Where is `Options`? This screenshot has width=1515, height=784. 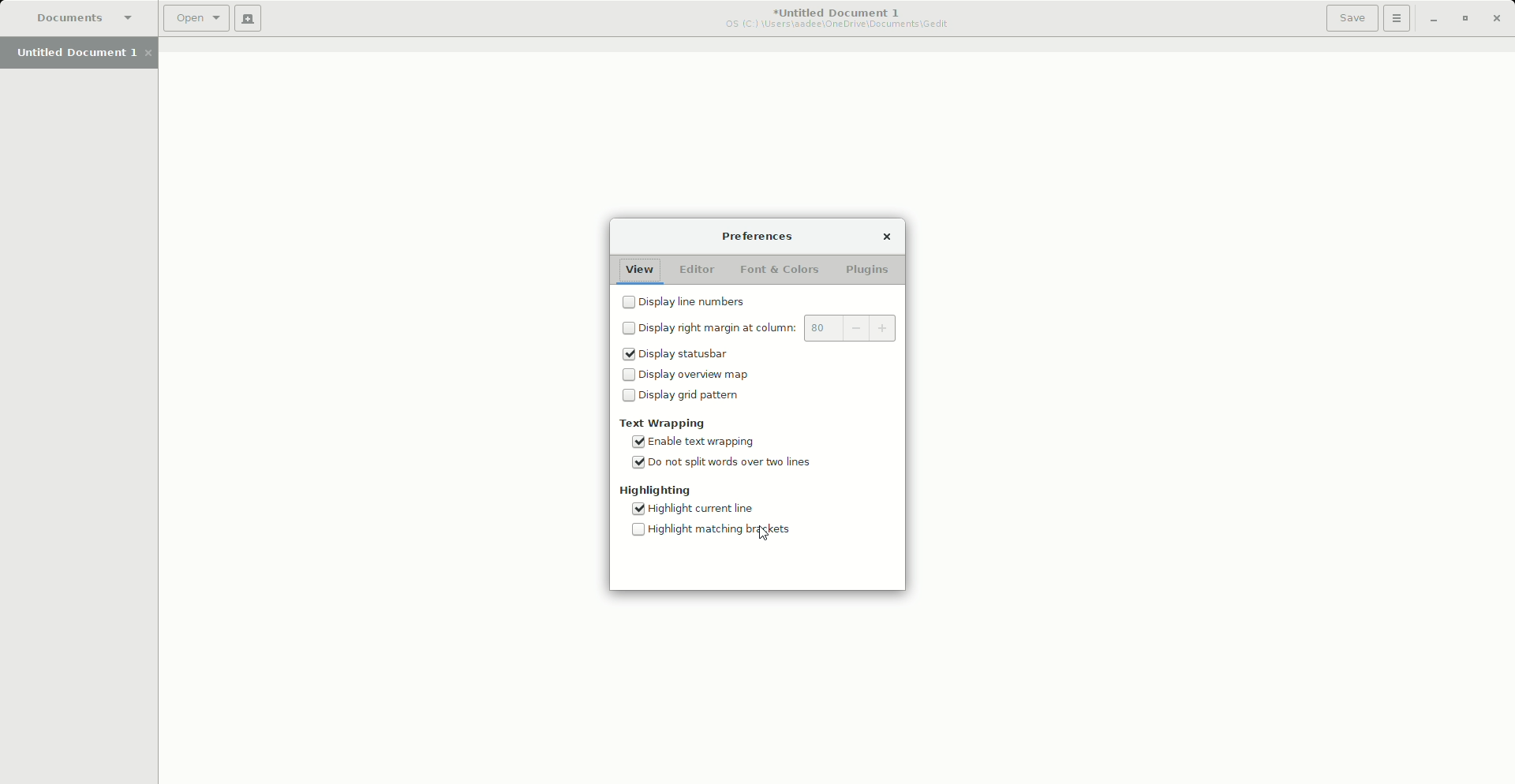 Options is located at coordinates (1393, 19).